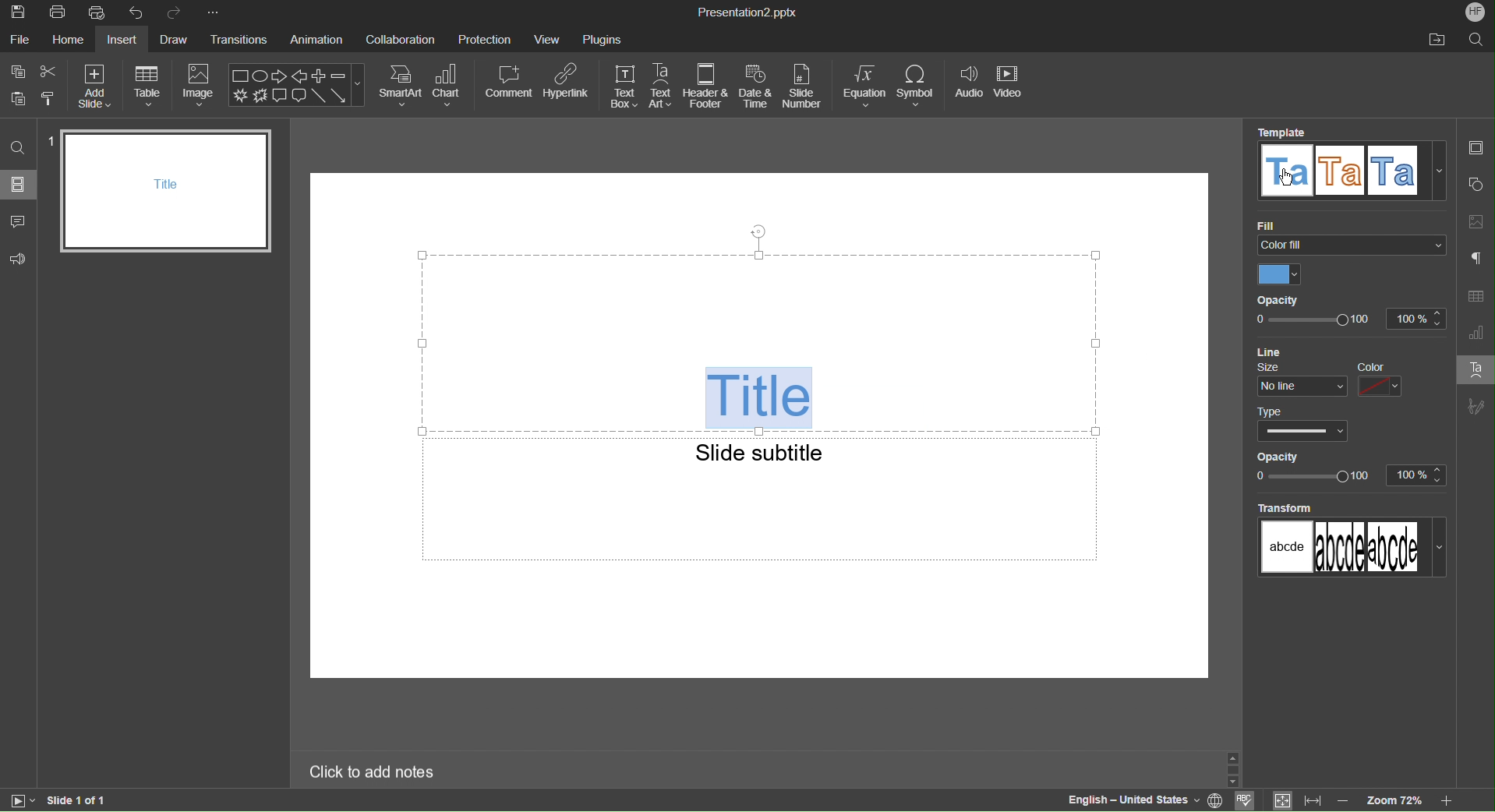 The height and width of the screenshot is (812, 1495). Describe the element at coordinates (1312, 800) in the screenshot. I see `fit to width` at that location.